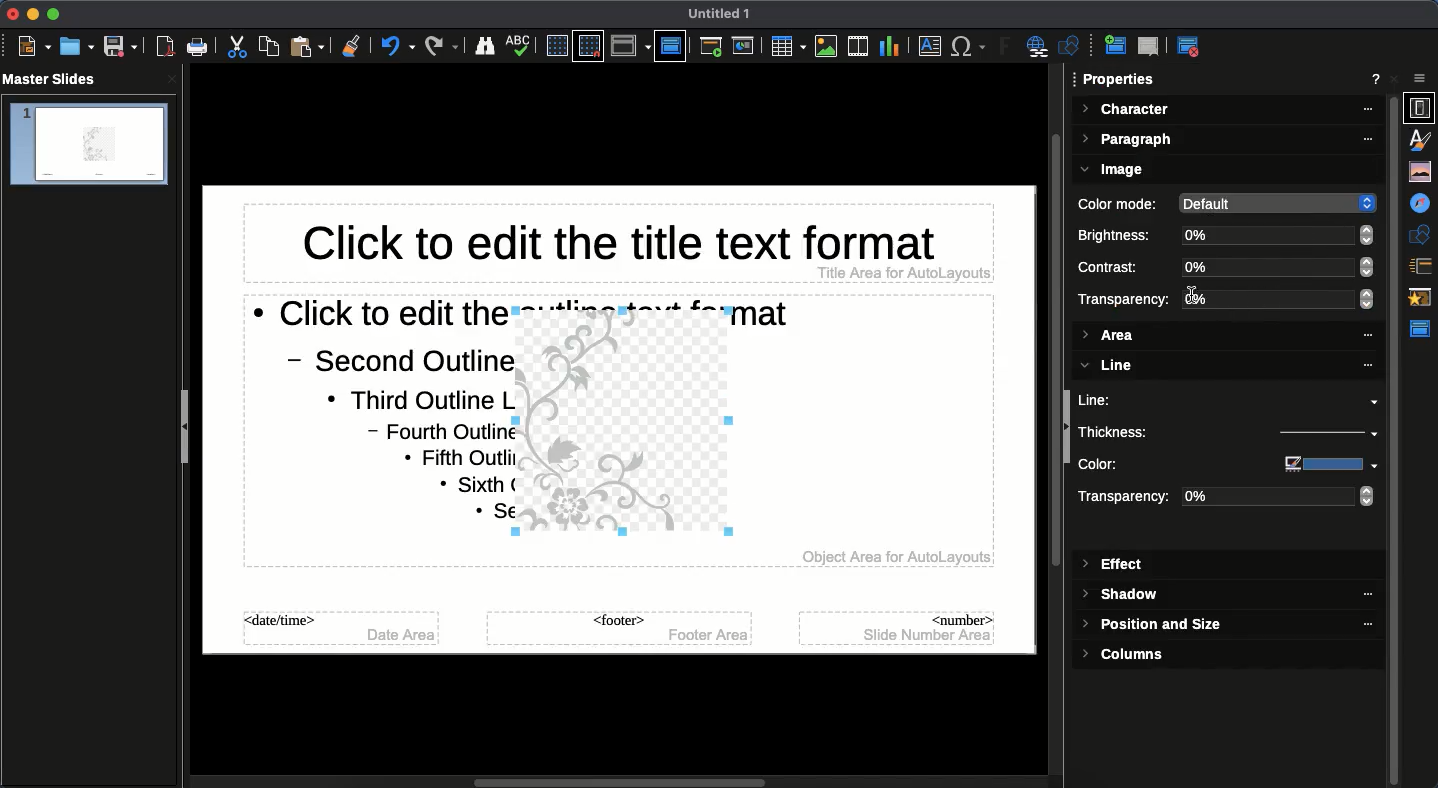 This screenshot has width=1438, height=788. I want to click on Image added, so click(628, 428).